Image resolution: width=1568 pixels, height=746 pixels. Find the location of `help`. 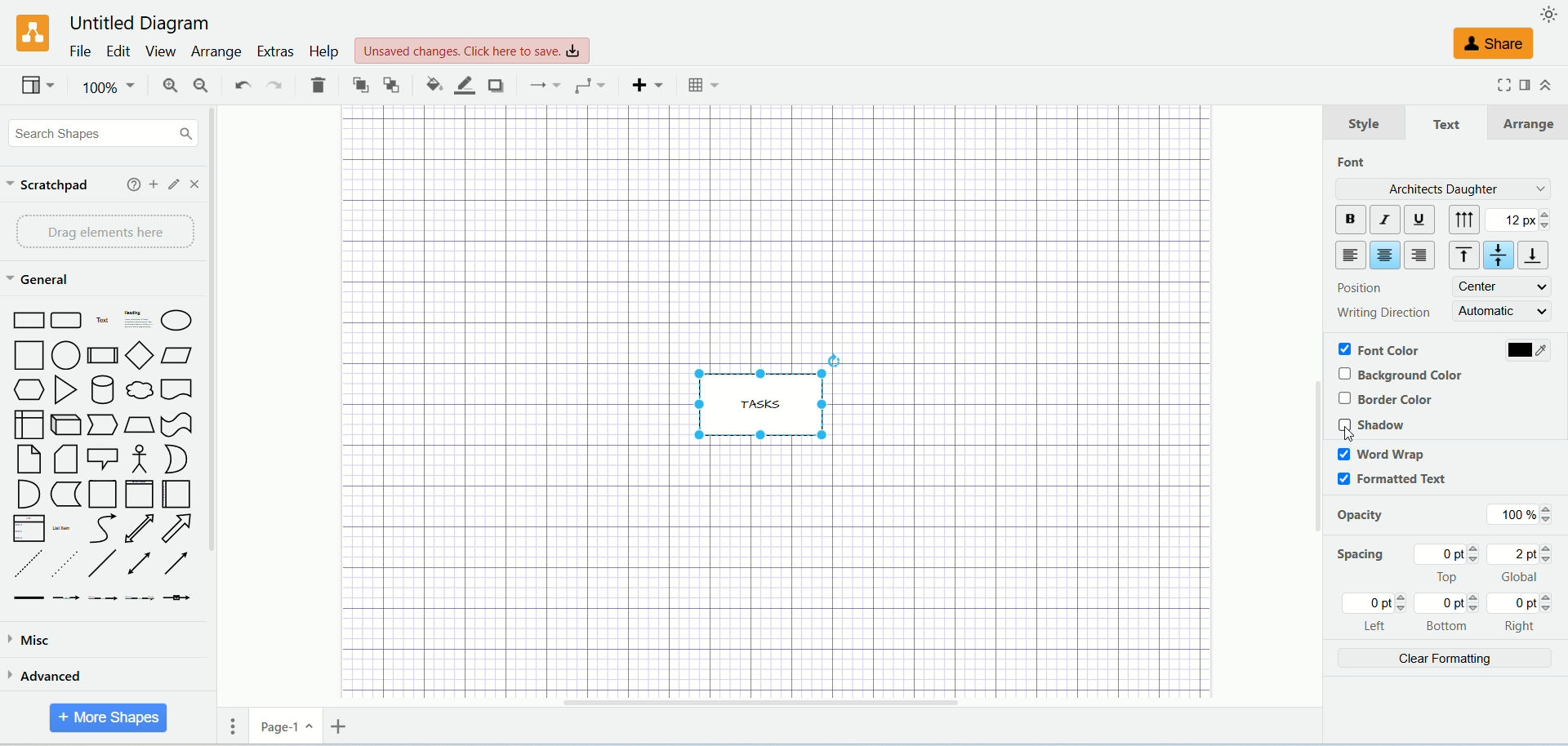

help is located at coordinates (132, 184).